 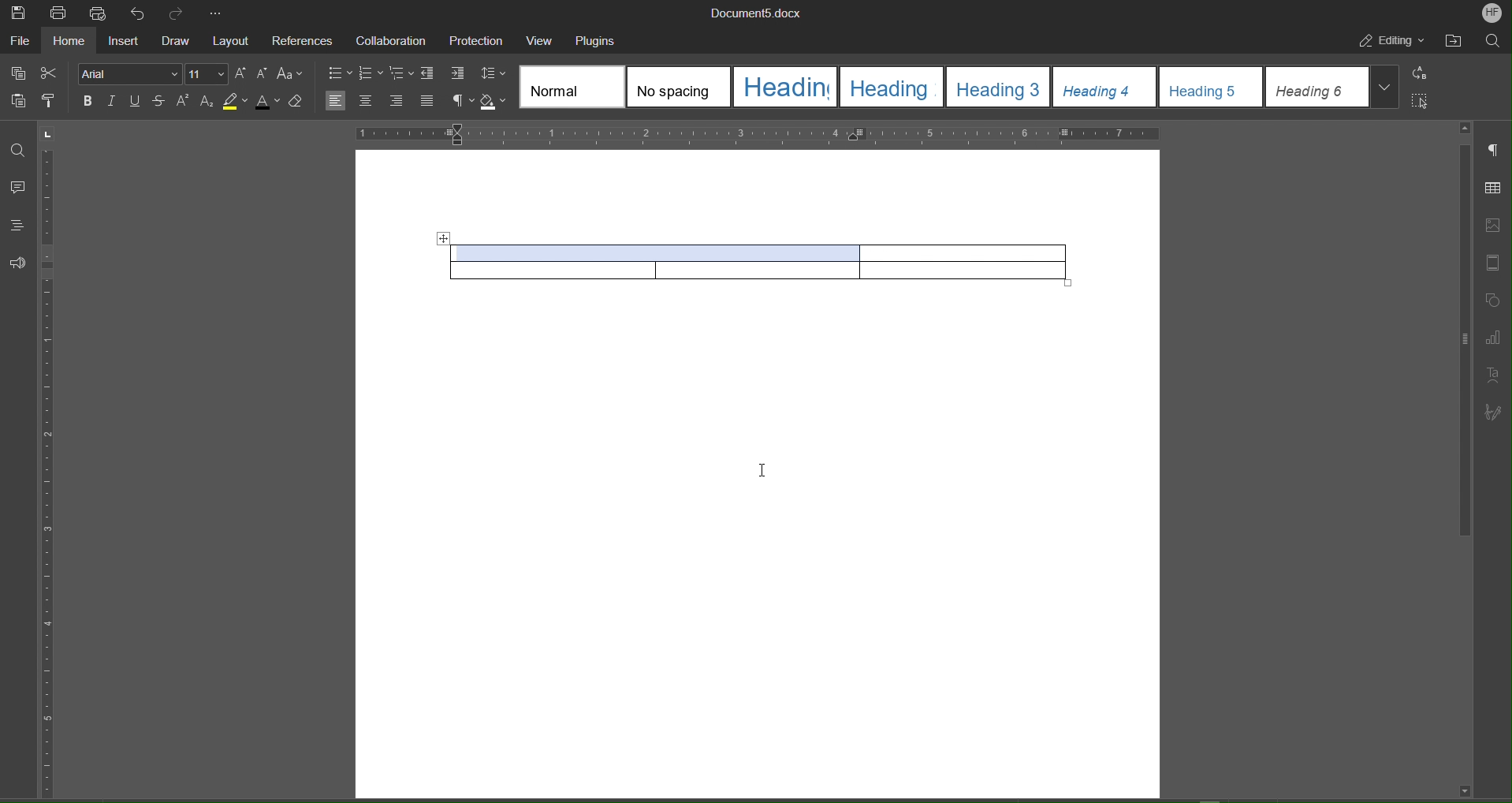 What do you see at coordinates (48, 133) in the screenshot?
I see `page orientation` at bounding box center [48, 133].